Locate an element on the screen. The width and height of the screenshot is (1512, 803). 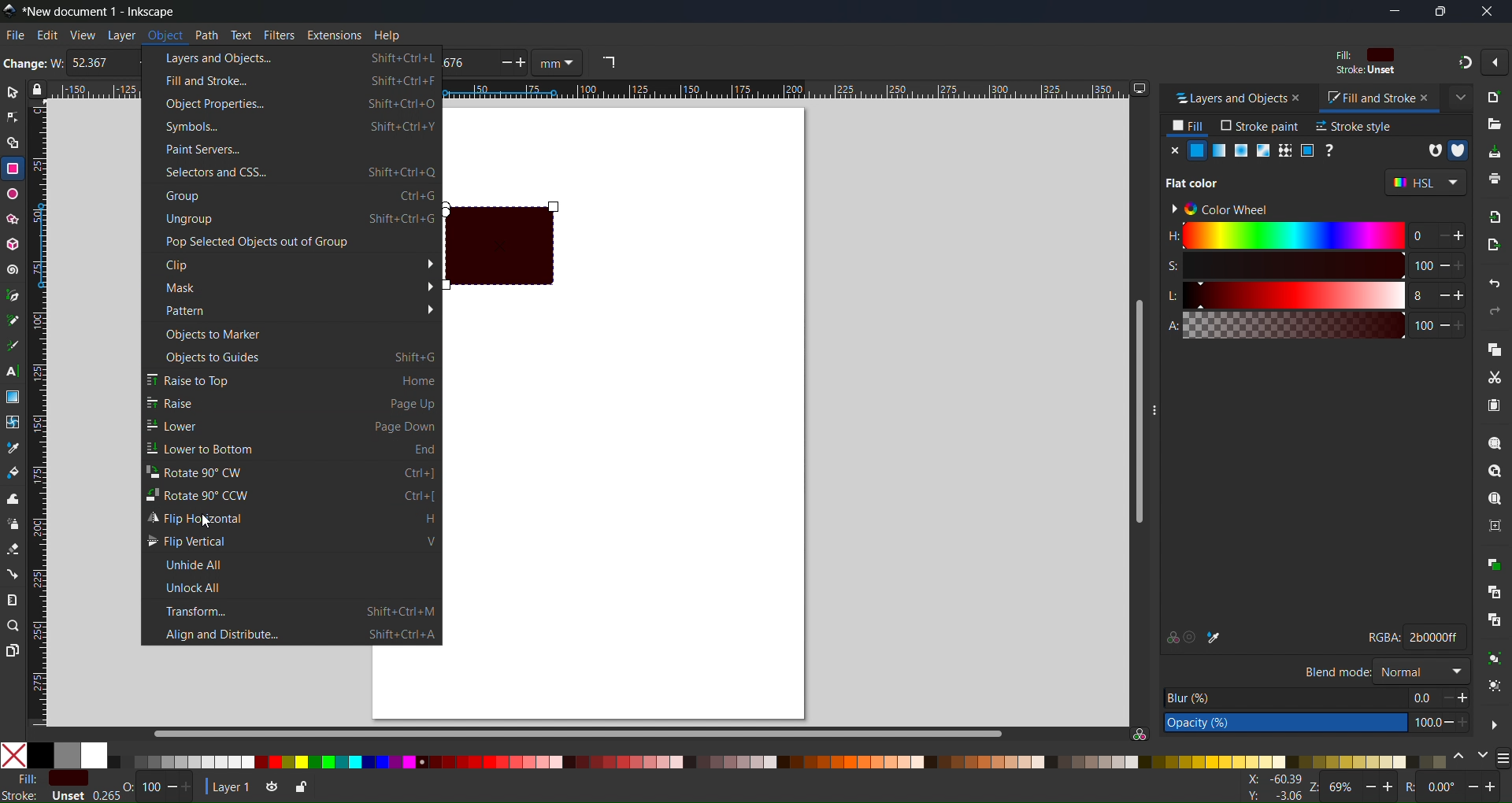
Cut is located at coordinates (1493, 377).